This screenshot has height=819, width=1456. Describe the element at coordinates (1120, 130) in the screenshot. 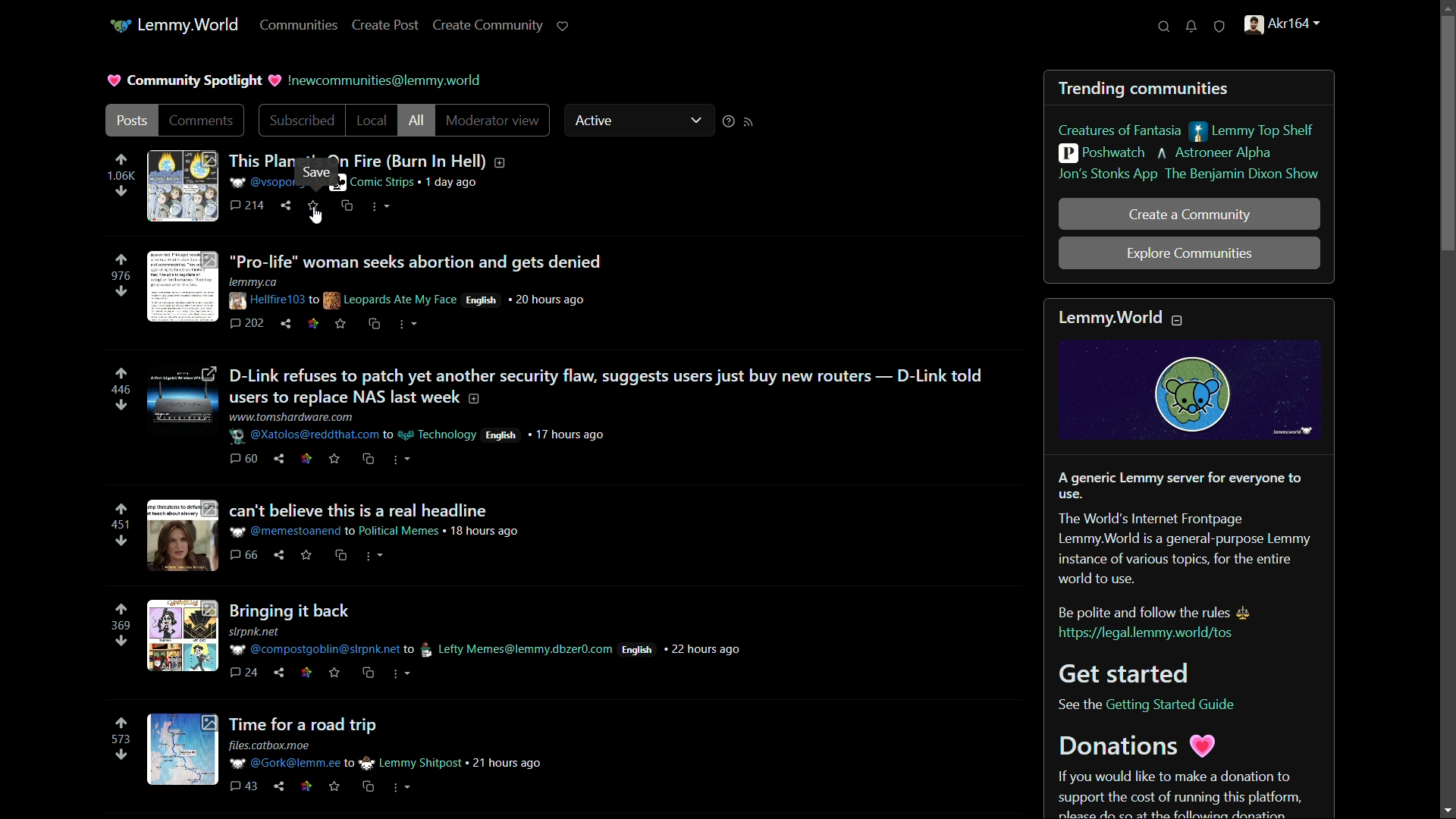

I see `creature of fantasia` at that location.